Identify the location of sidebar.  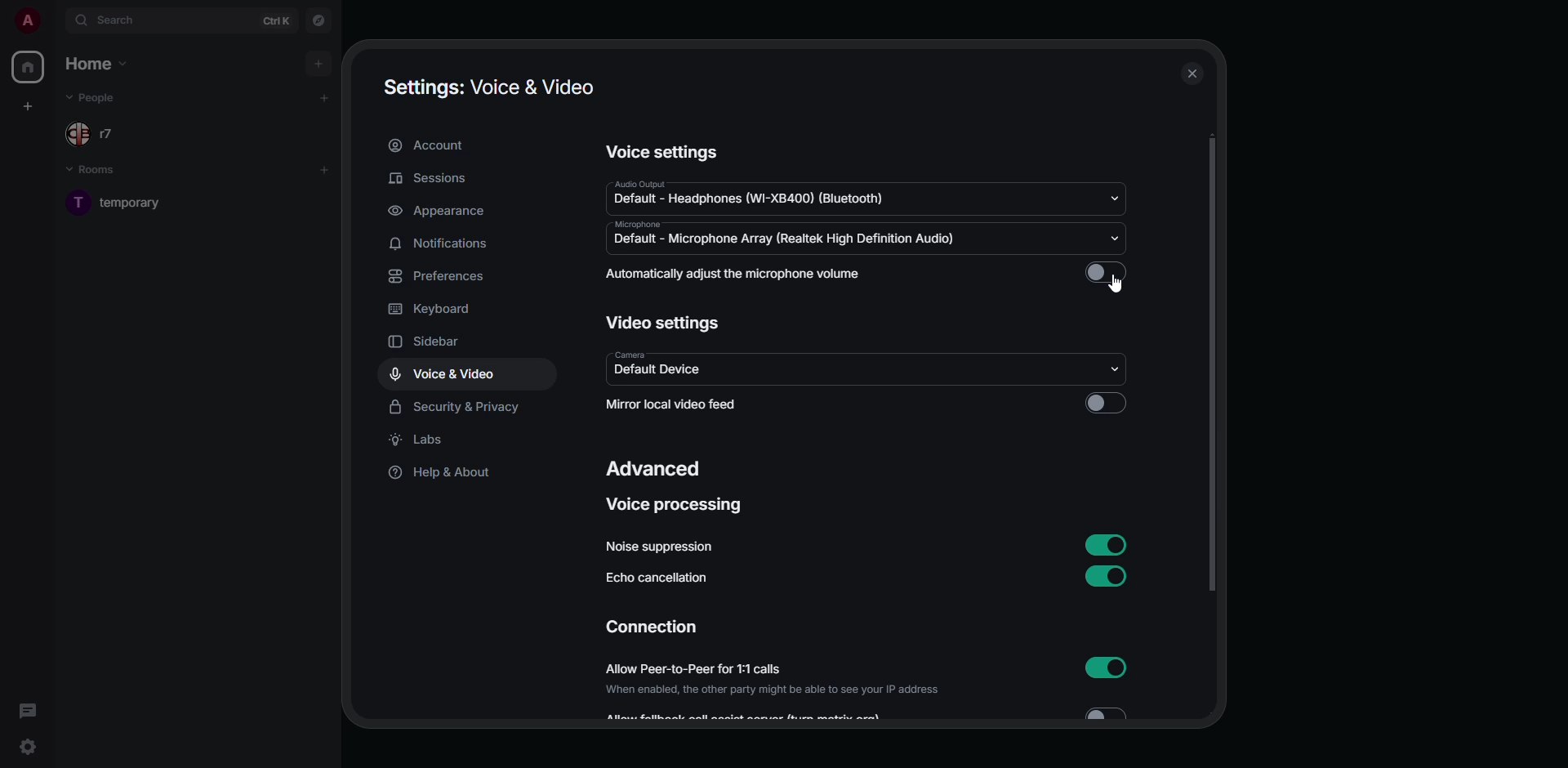
(425, 343).